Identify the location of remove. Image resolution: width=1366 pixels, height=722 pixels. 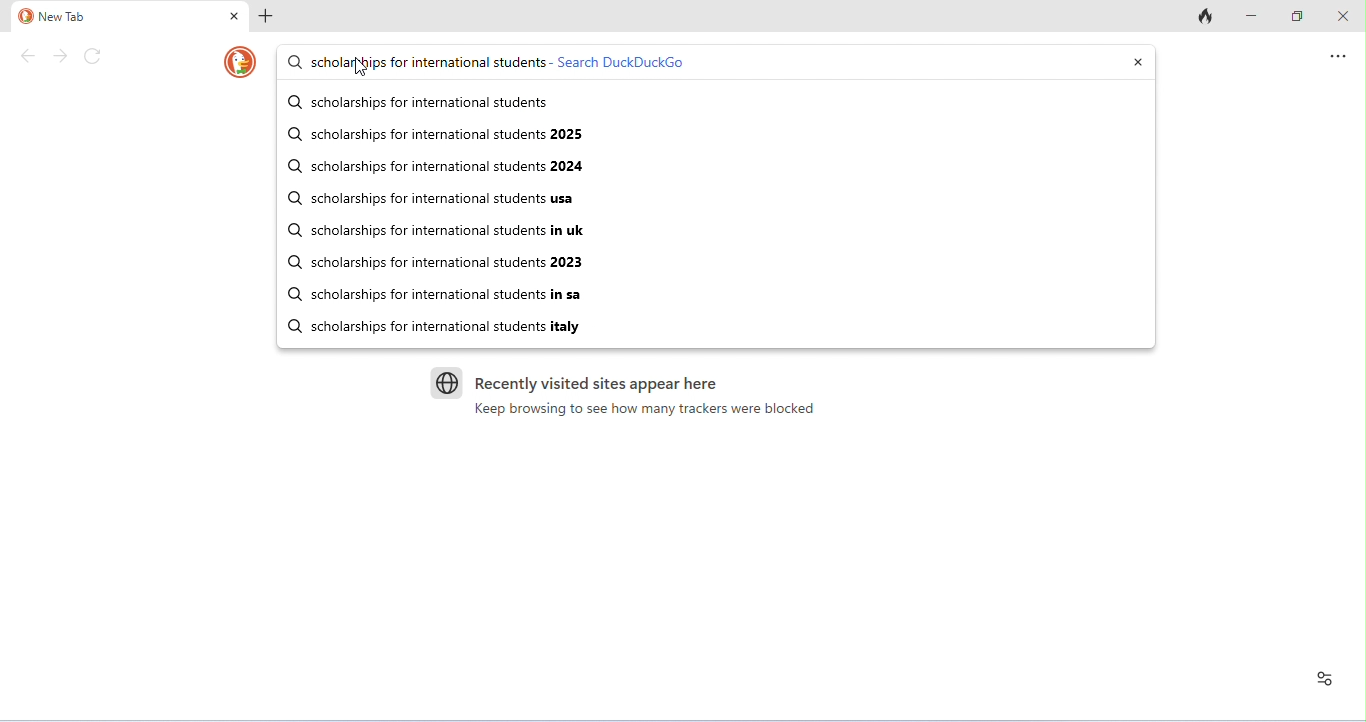
(1135, 61).